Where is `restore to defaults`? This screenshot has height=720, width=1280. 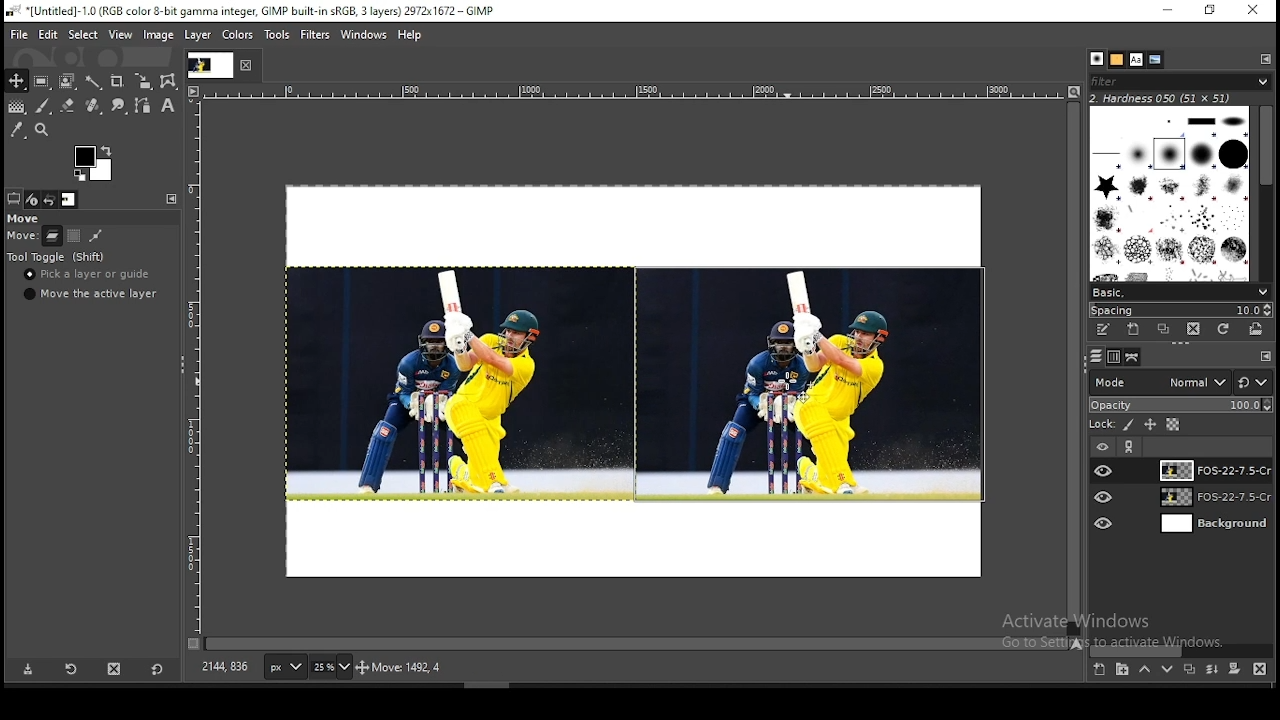
restore to defaults is located at coordinates (159, 668).